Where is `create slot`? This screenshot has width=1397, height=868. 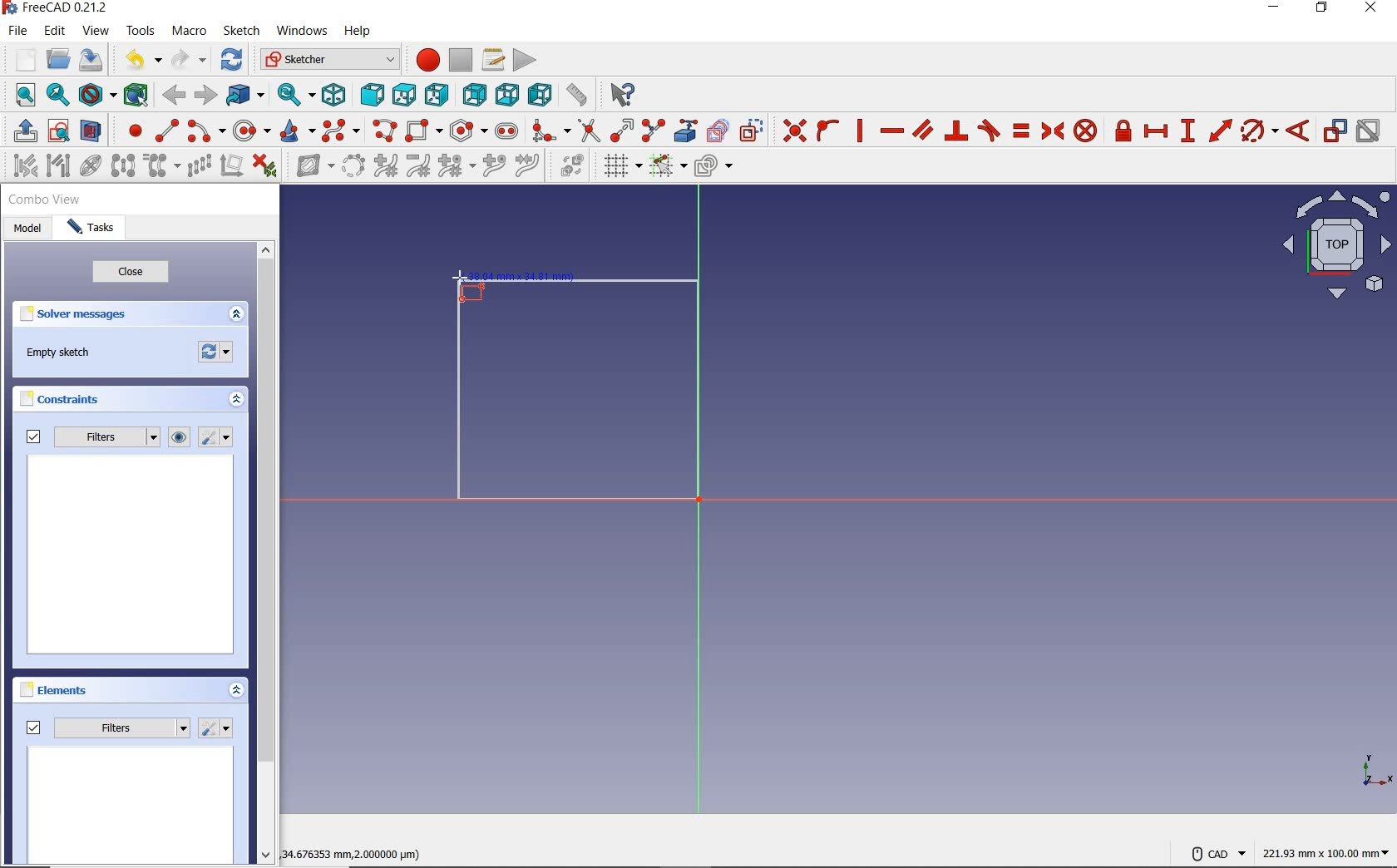
create slot is located at coordinates (507, 130).